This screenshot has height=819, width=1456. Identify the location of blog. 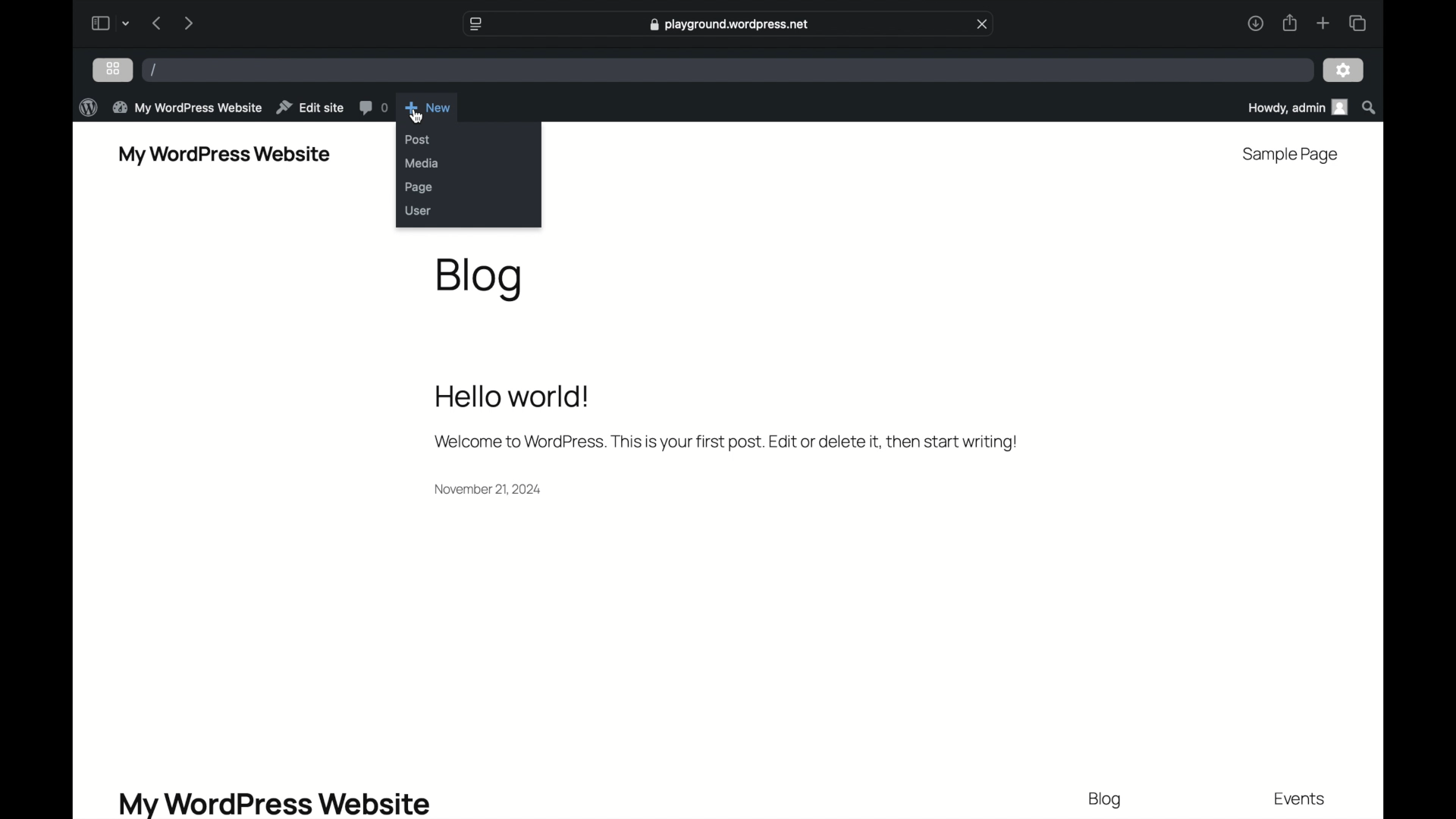
(1106, 800).